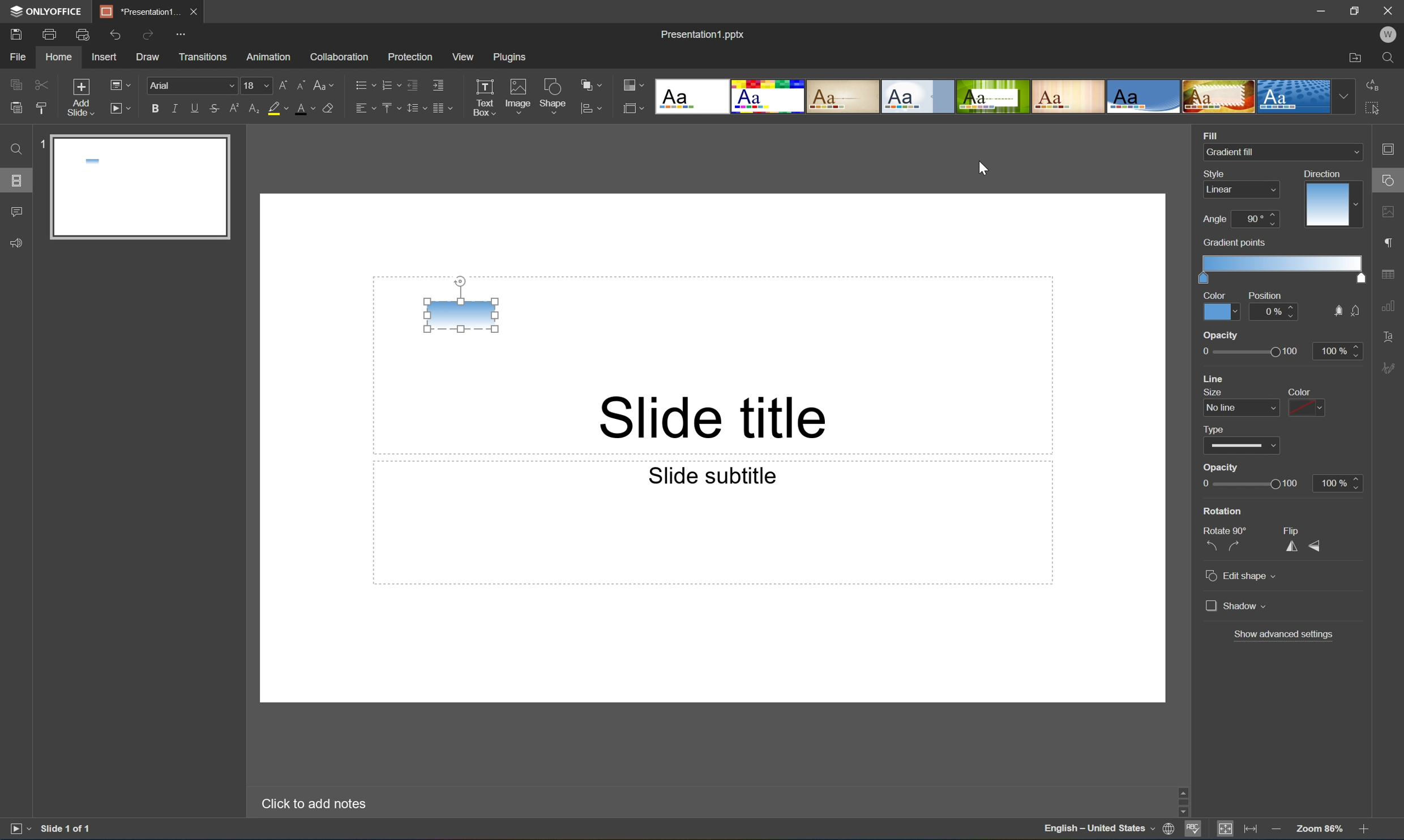 The height and width of the screenshot is (840, 1404). I want to click on Transitions, so click(202, 56).